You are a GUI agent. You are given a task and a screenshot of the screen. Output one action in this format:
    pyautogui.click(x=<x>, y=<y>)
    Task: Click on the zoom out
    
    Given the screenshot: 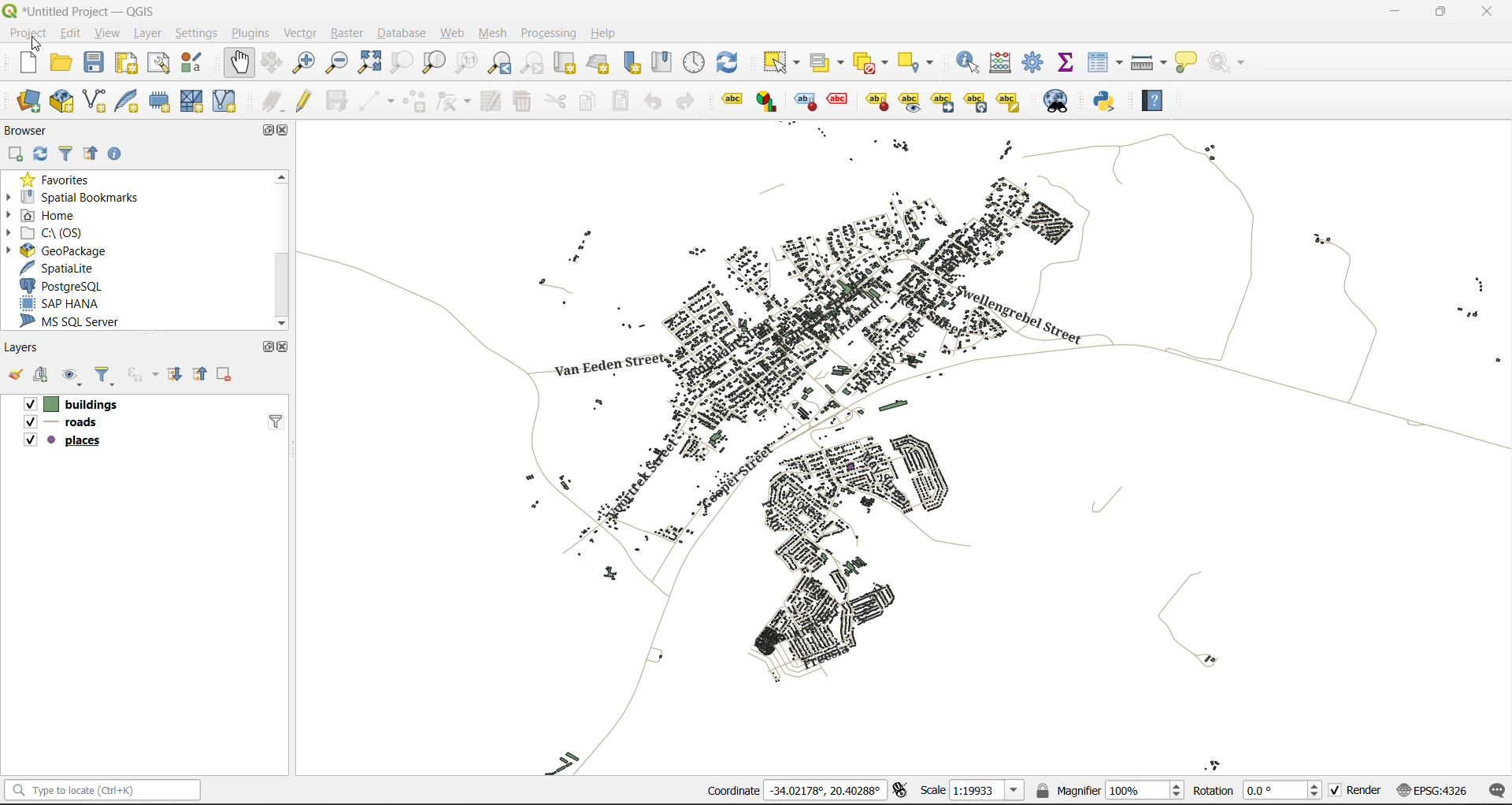 What is the action you would take?
    pyautogui.click(x=337, y=64)
    